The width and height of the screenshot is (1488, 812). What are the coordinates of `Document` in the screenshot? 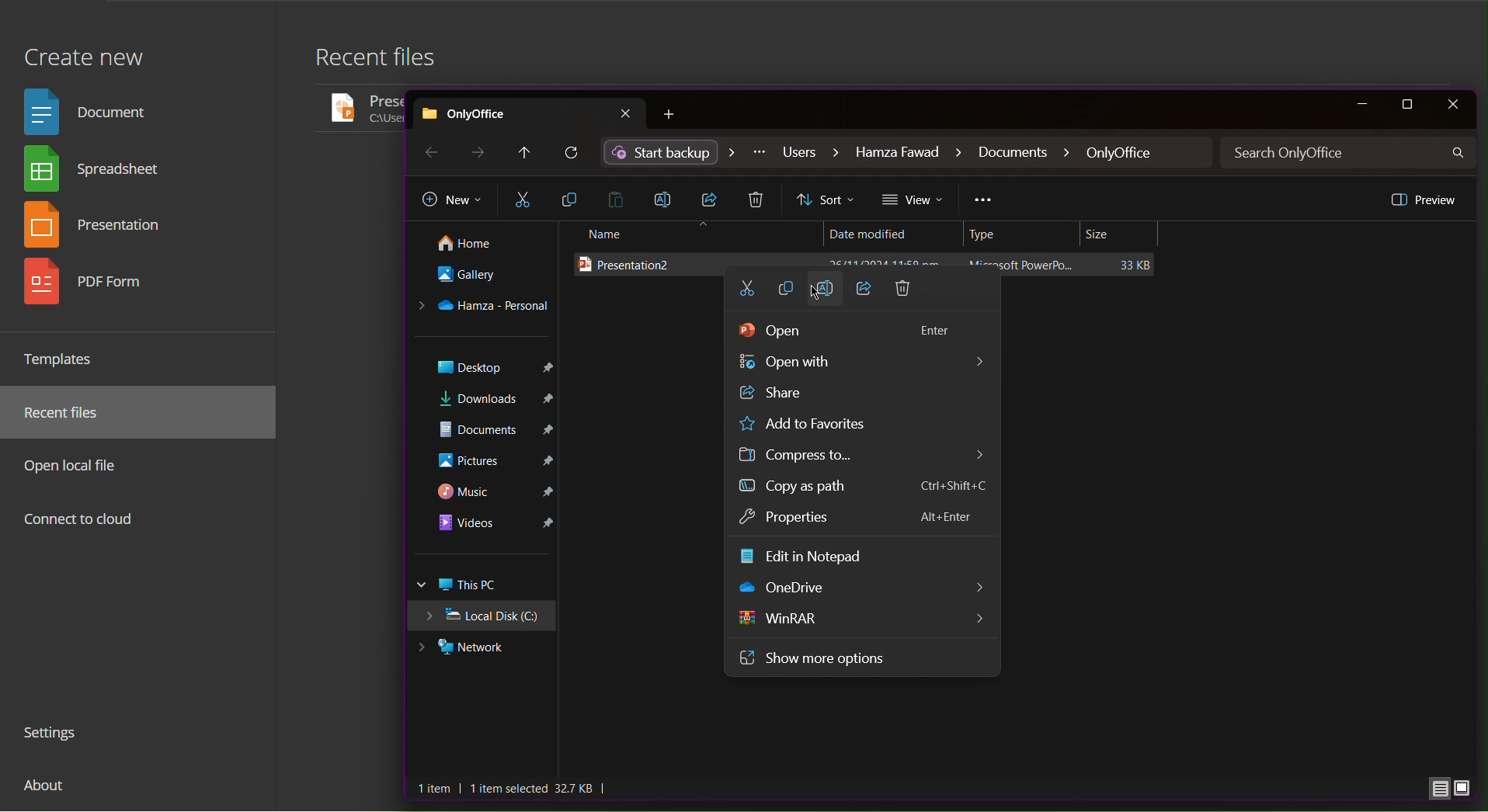 It's located at (92, 110).